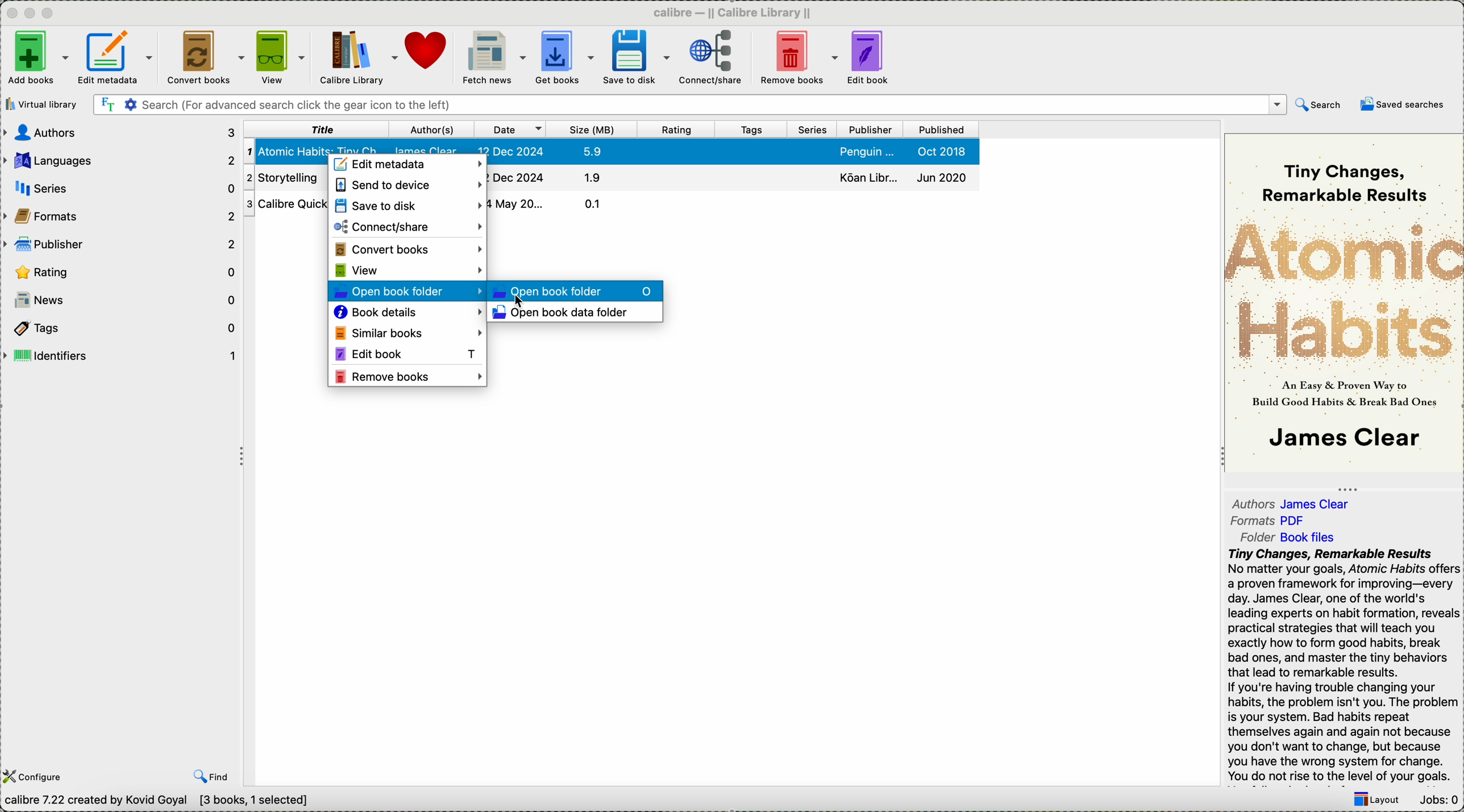  I want to click on series, so click(816, 130).